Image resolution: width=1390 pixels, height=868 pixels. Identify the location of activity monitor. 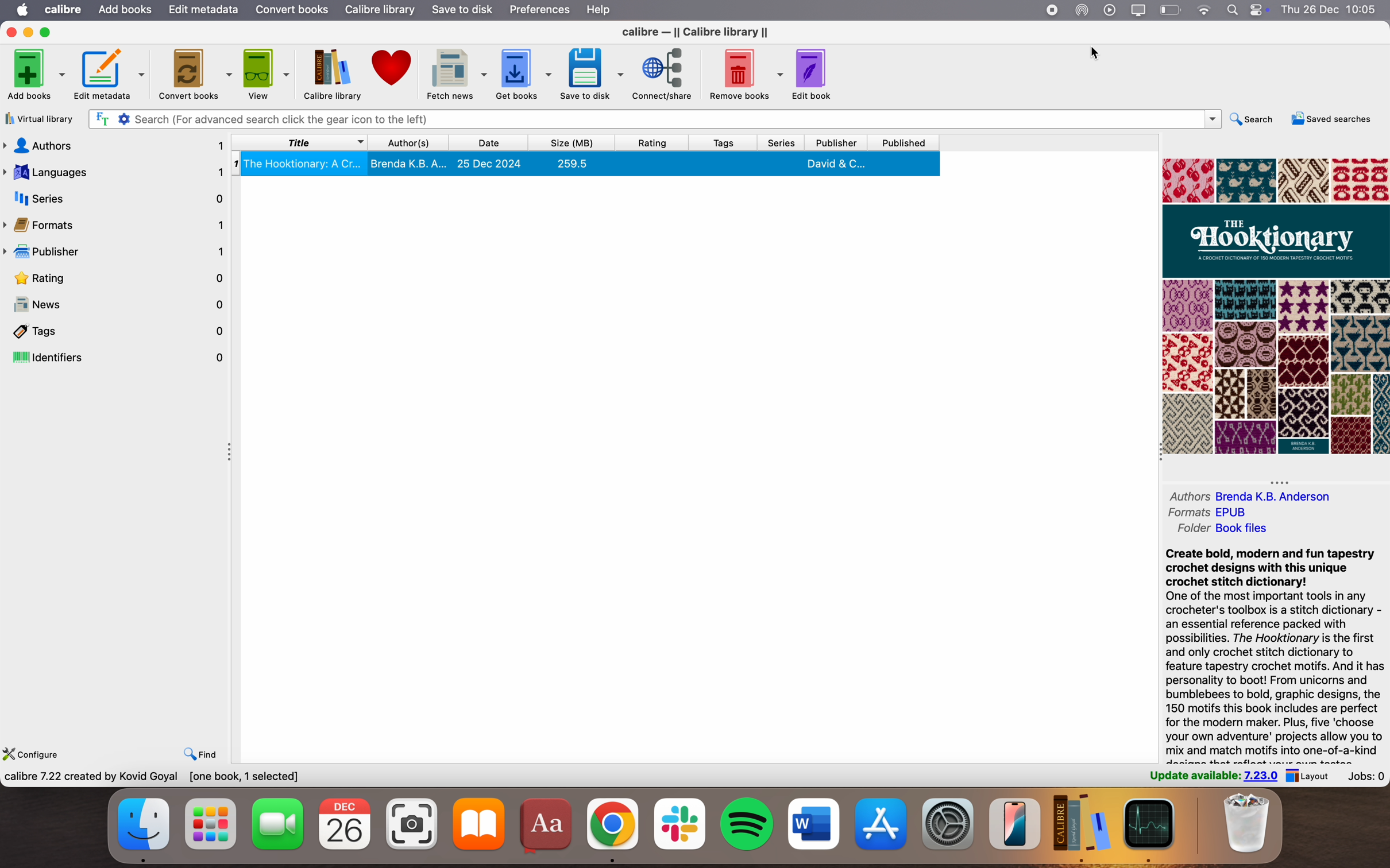
(1152, 829).